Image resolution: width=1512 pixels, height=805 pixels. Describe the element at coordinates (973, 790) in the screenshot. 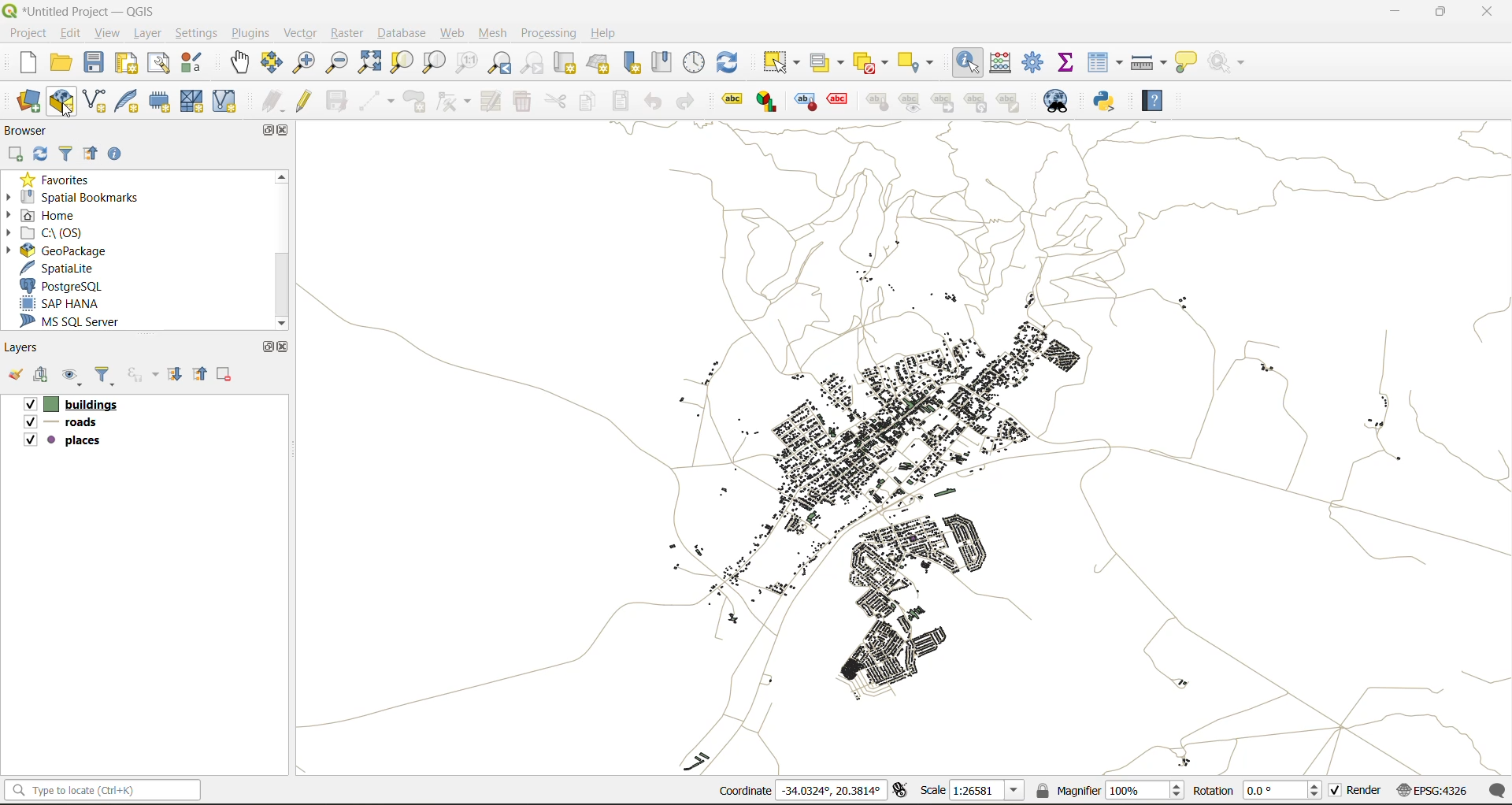

I see `scale(1:26581)` at that location.